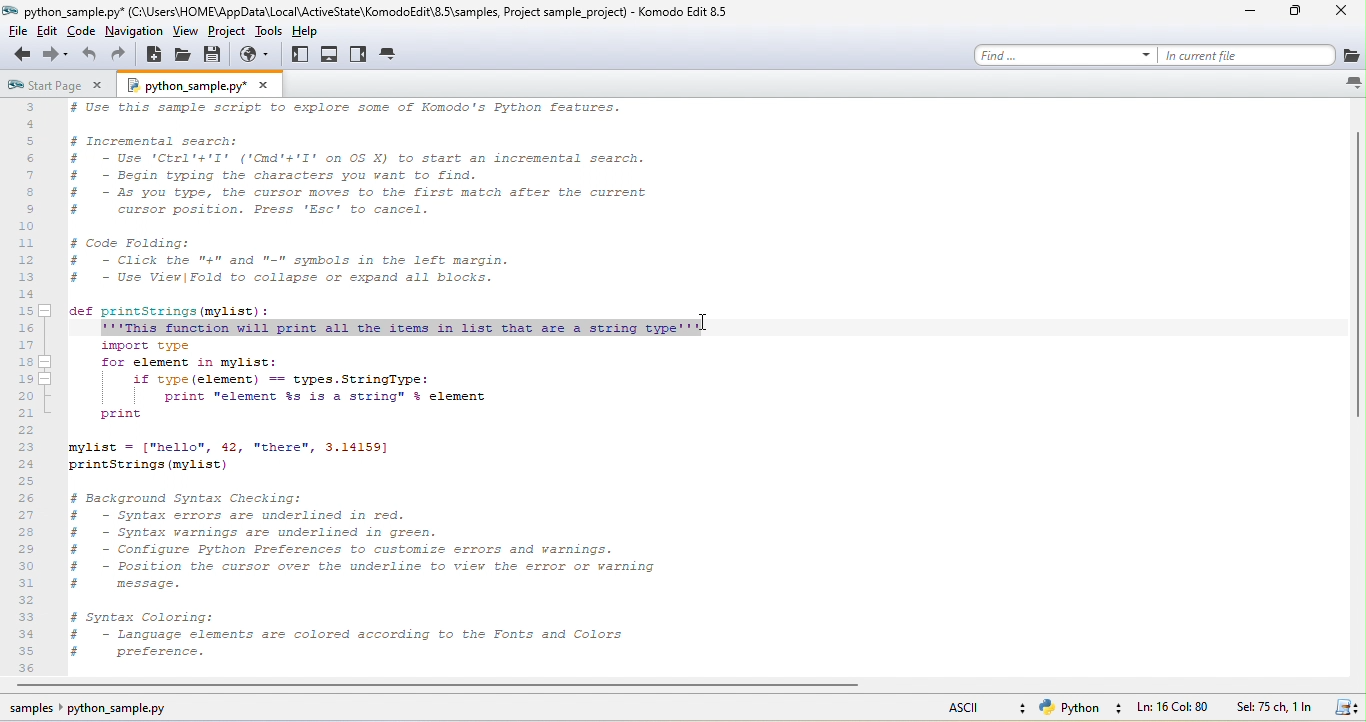 The width and height of the screenshot is (1366, 722). Describe the element at coordinates (98, 87) in the screenshot. I see `close` at that location.